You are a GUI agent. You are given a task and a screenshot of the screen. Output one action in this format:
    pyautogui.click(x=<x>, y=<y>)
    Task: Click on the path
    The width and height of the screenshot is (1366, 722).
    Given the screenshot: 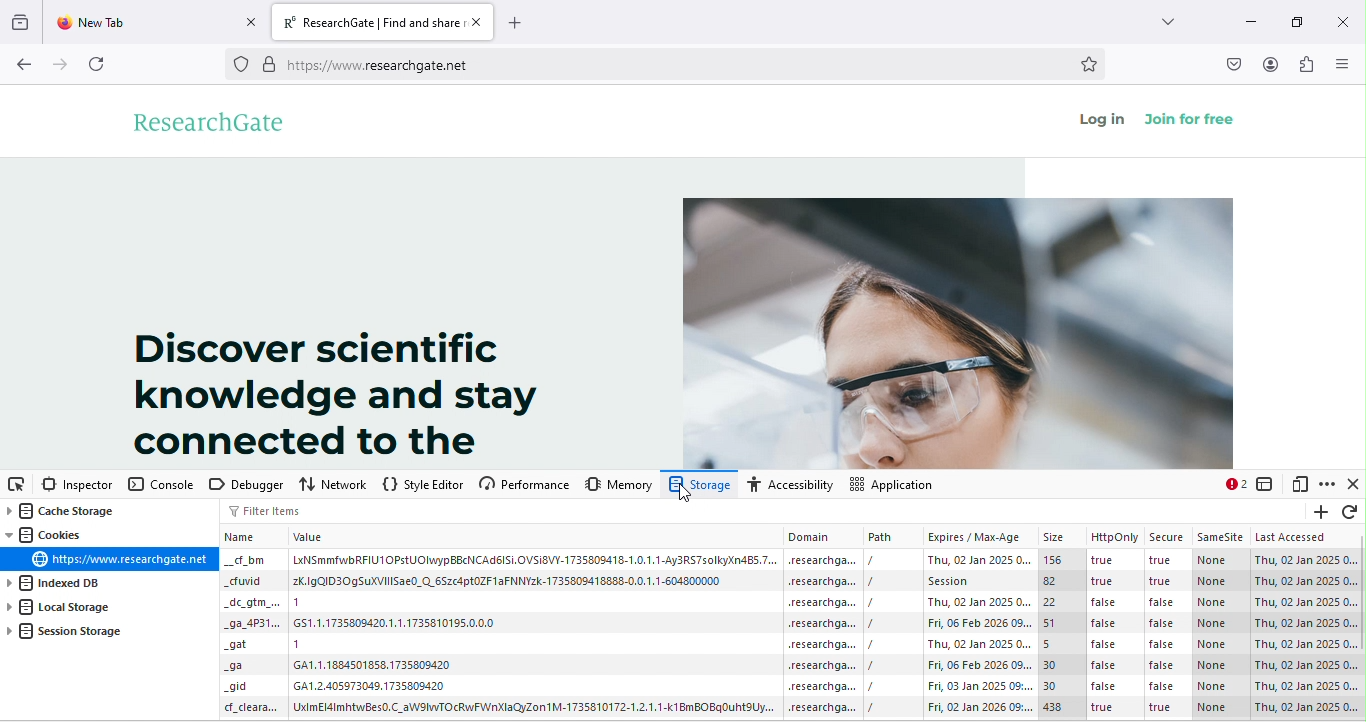 What is the action you would take?
    pyautogui.click(x=879, y=537)
    